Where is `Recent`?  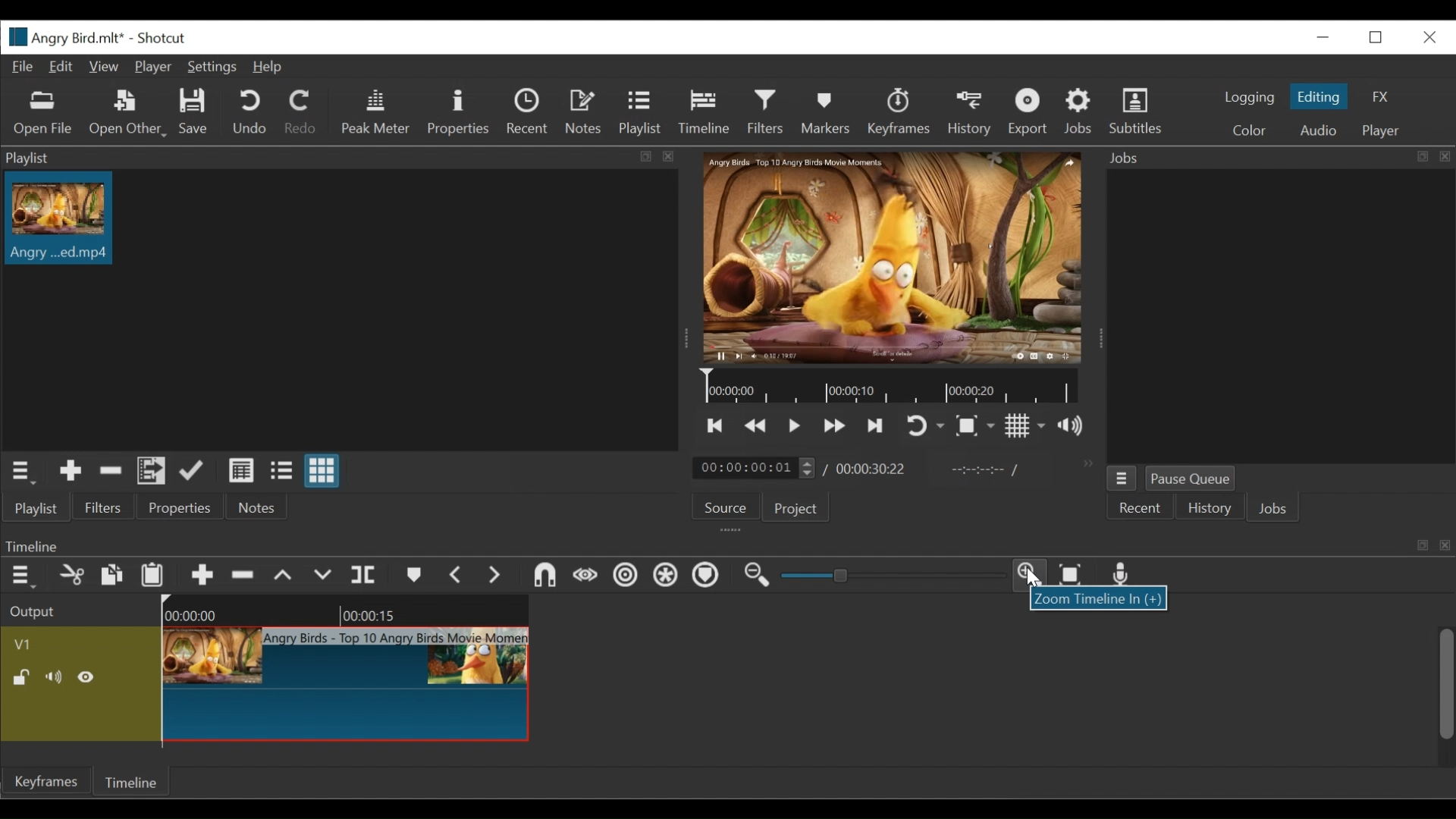 Recent is located at coordinates (527, 113).